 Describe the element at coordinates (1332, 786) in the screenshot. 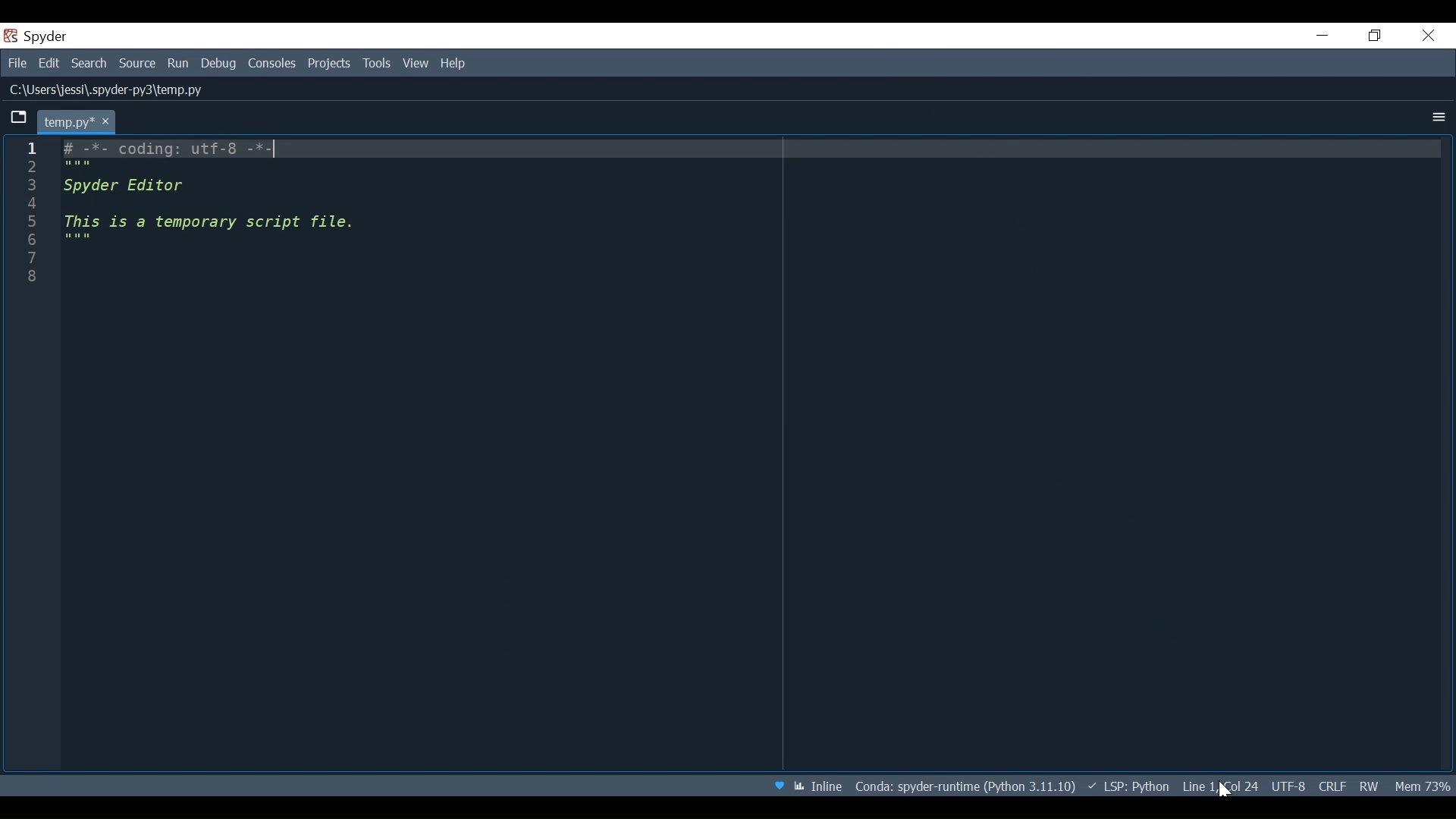

I see `File EQL Status` at that location.